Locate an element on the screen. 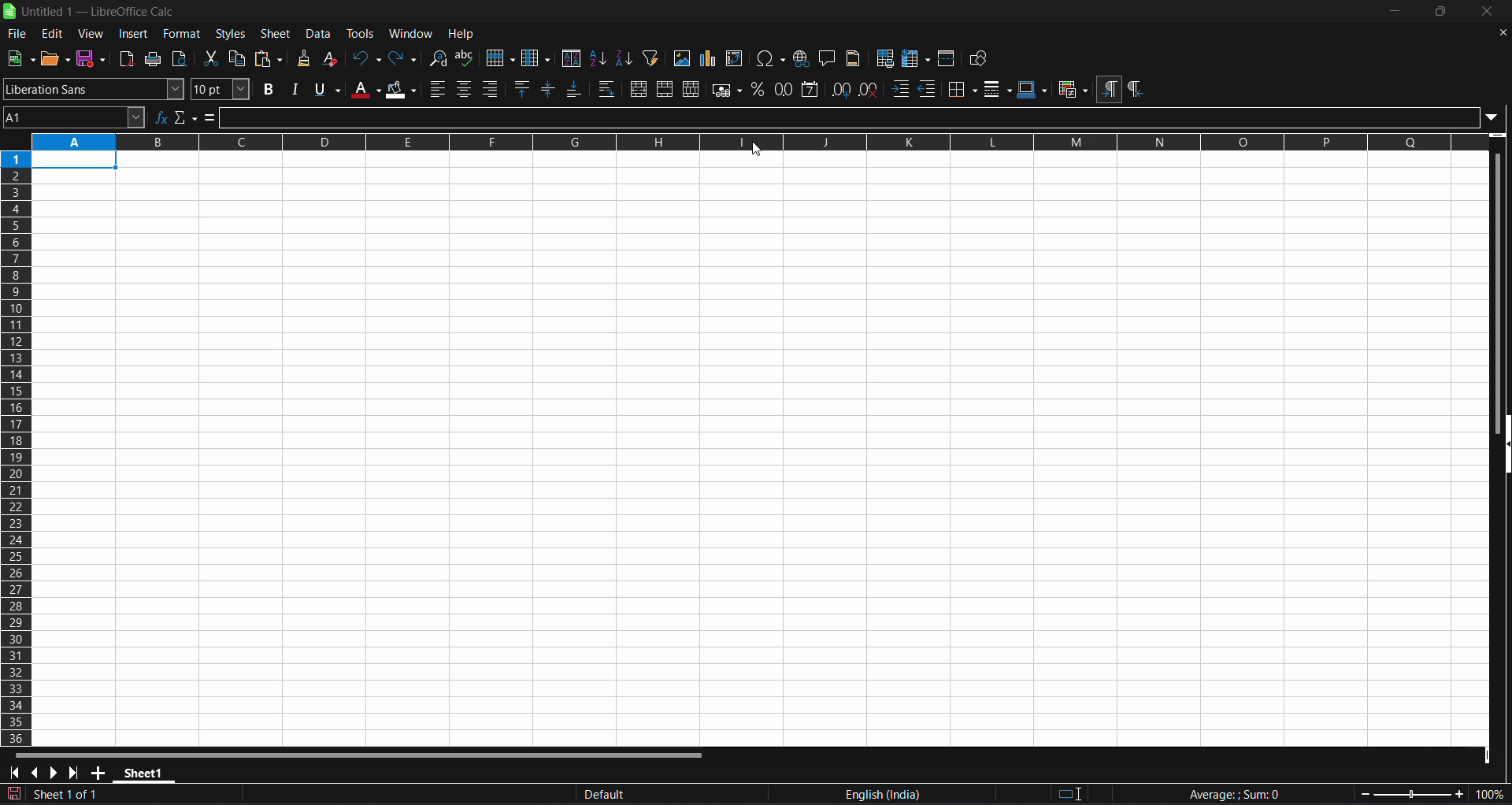 The width and height of the screenshot is (1512, 805). cut is located at coordinates (210, 57).